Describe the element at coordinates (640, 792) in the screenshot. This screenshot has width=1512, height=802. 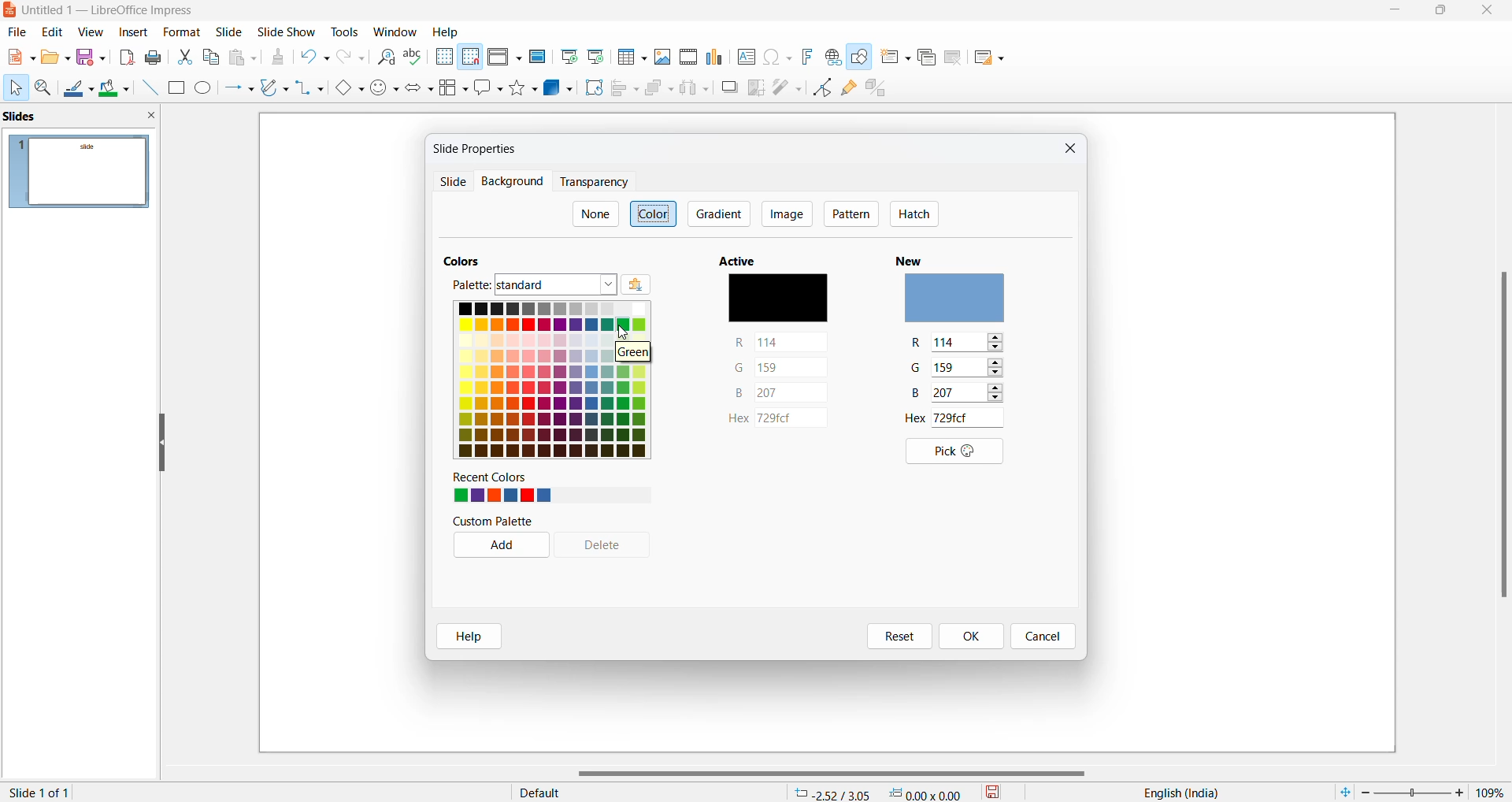
I see `page style` at that location.